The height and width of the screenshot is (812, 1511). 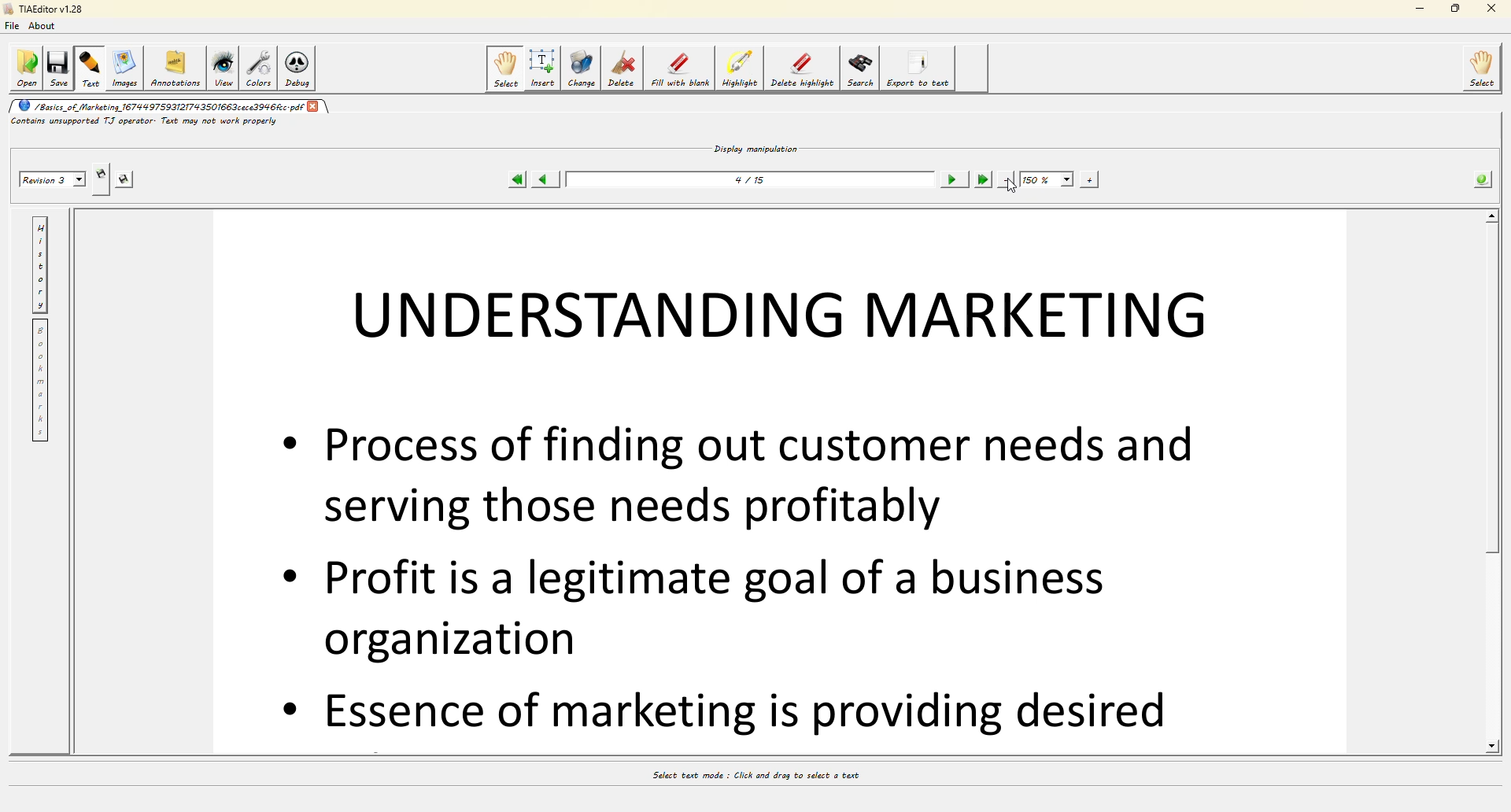 I want to click on insert, so click(x=542, y=69).